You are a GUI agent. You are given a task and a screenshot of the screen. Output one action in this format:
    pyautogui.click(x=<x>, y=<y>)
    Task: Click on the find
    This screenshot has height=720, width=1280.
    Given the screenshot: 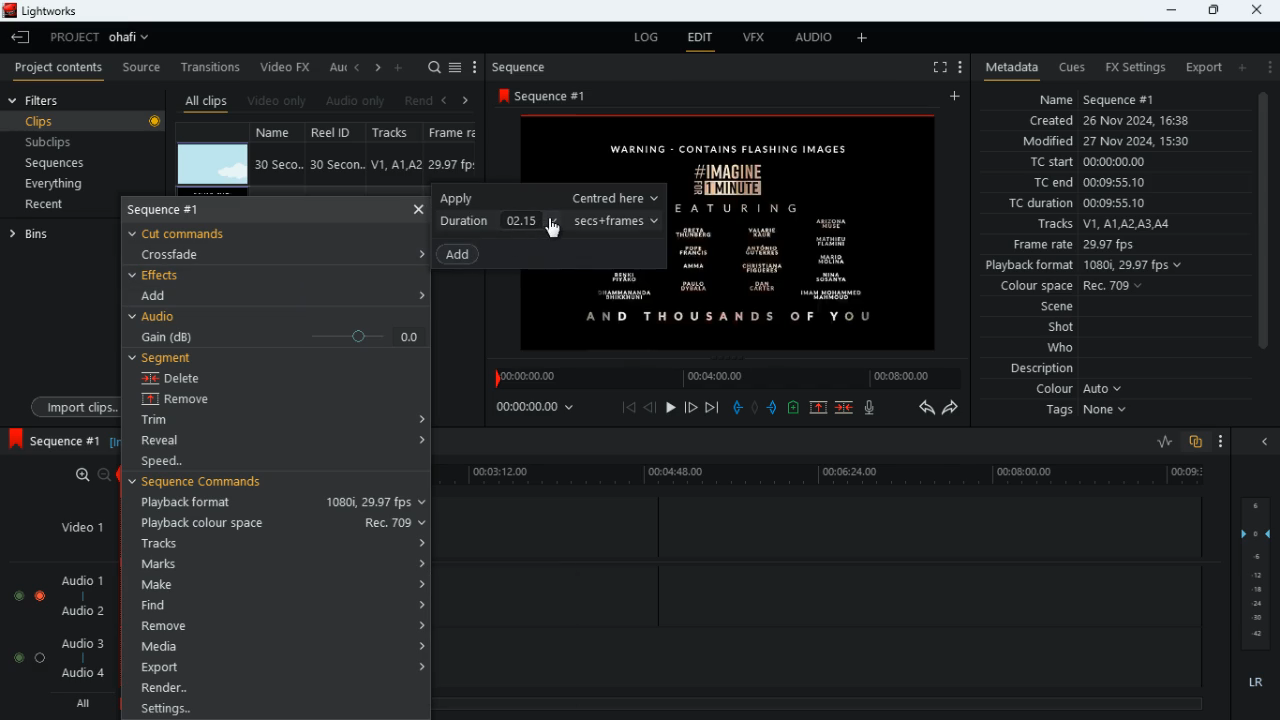 What is the action you would take?
    pyautogui.click(x=278, y=605)
    